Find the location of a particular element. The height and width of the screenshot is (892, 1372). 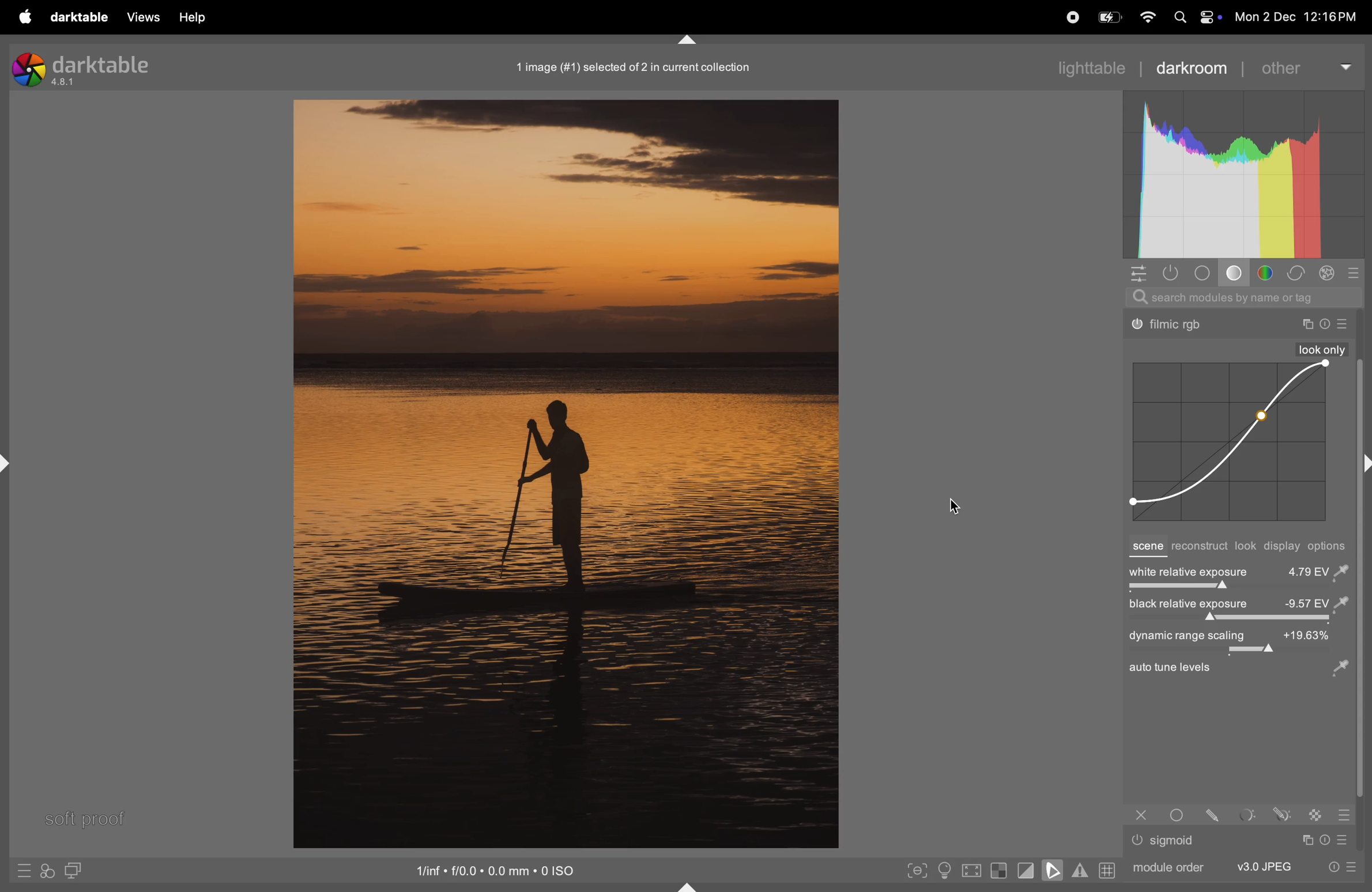

rgb curve is located at coordinates (1227, 443).